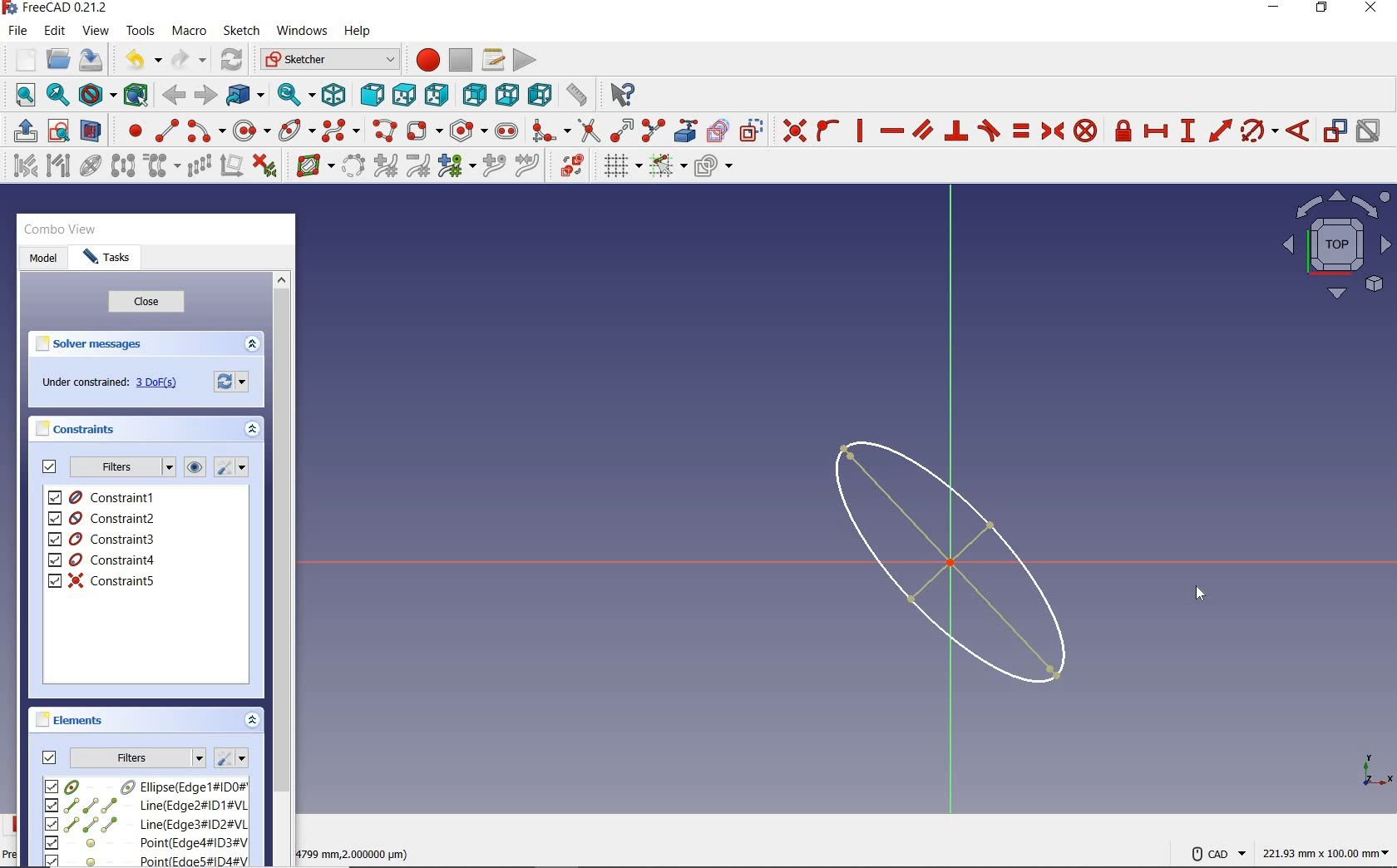 Image resolution: width=1397 pixels, height=868 pixels. What do you see at coordinates (17, 31) in the screenshot?
I see `file` at bounding box center [17, 31].